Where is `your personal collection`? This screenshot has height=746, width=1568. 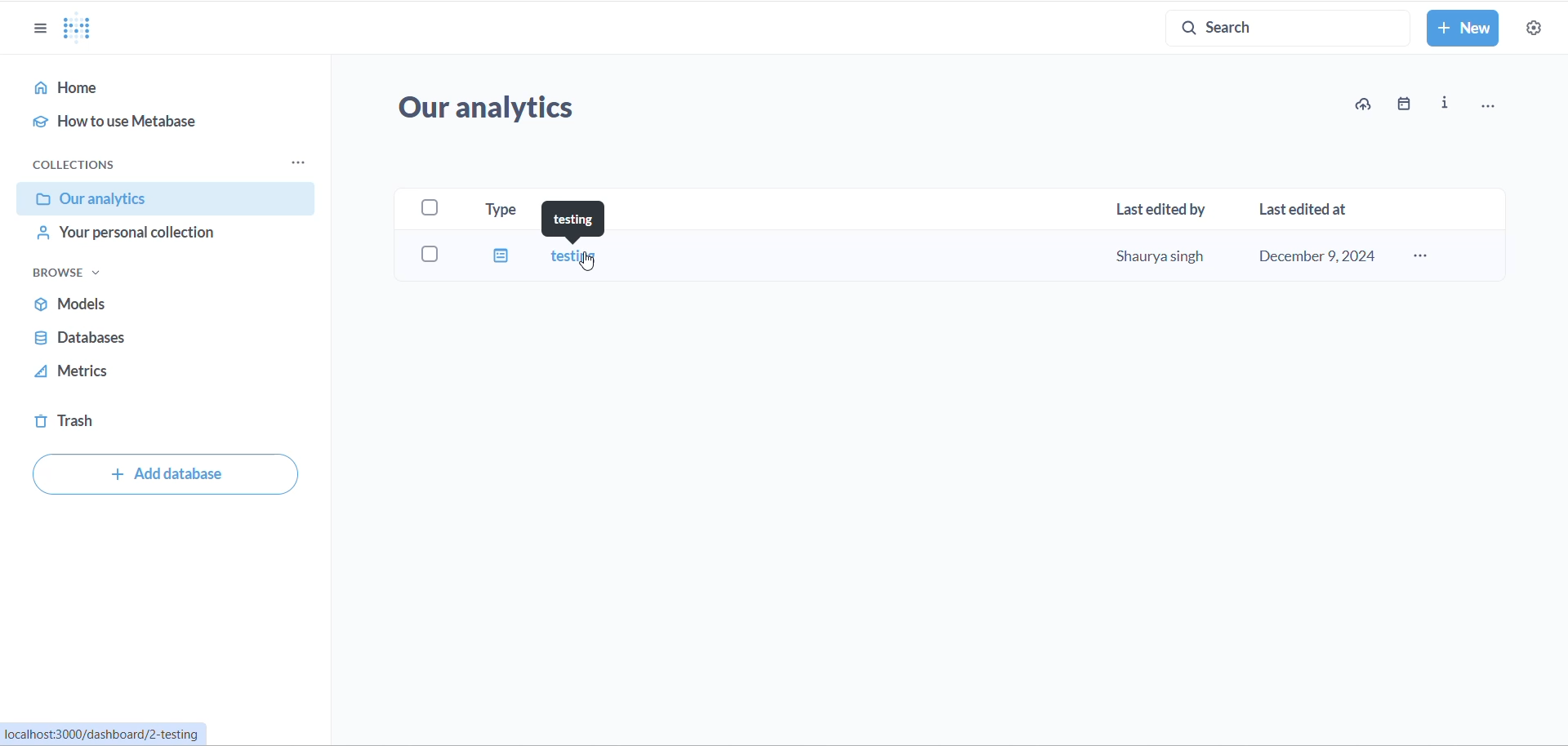 your personal collection is located at coordinates (160, 234).